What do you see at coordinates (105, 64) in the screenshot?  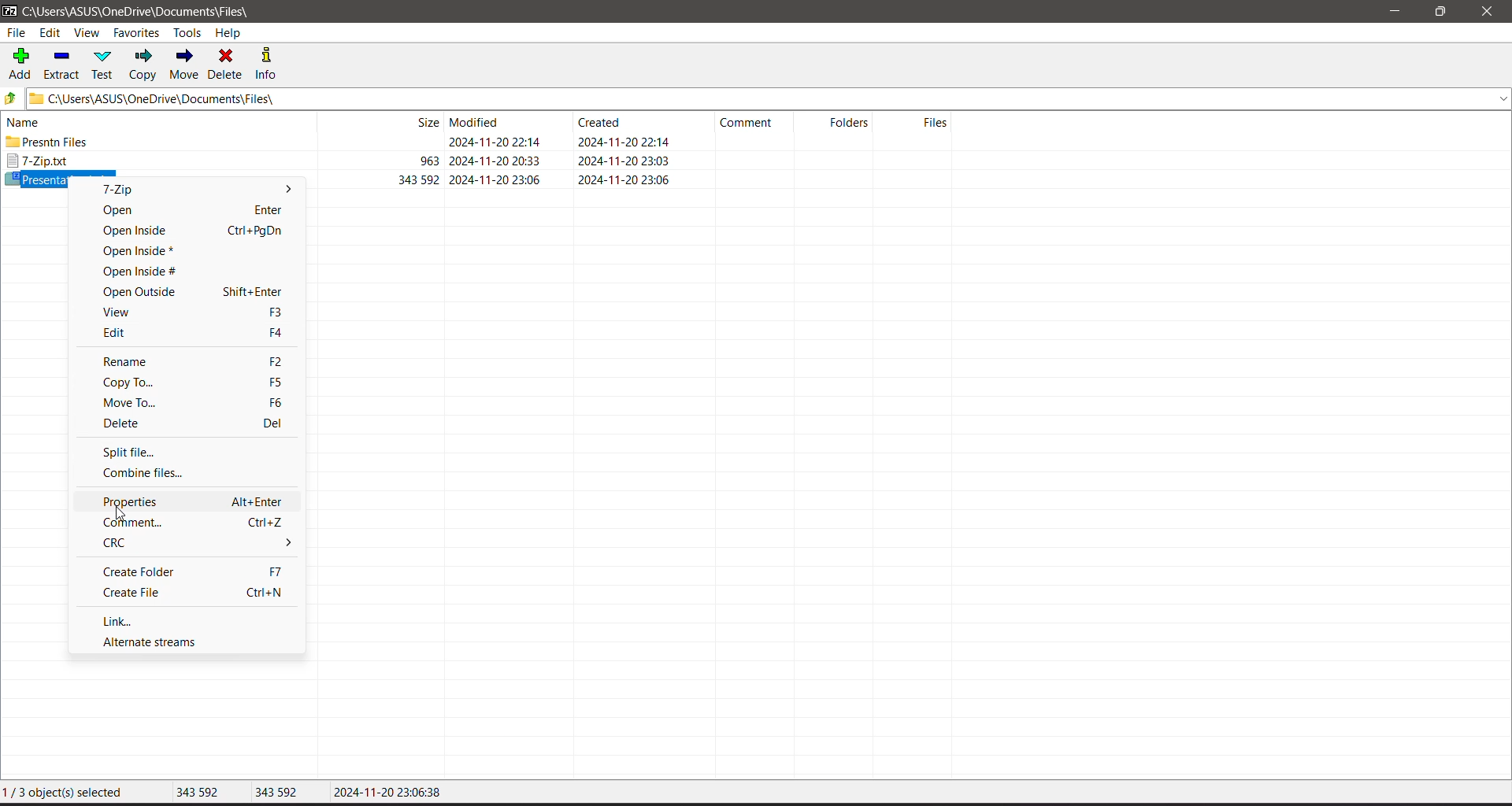 I see `Test` at bounding box center [105, 64].